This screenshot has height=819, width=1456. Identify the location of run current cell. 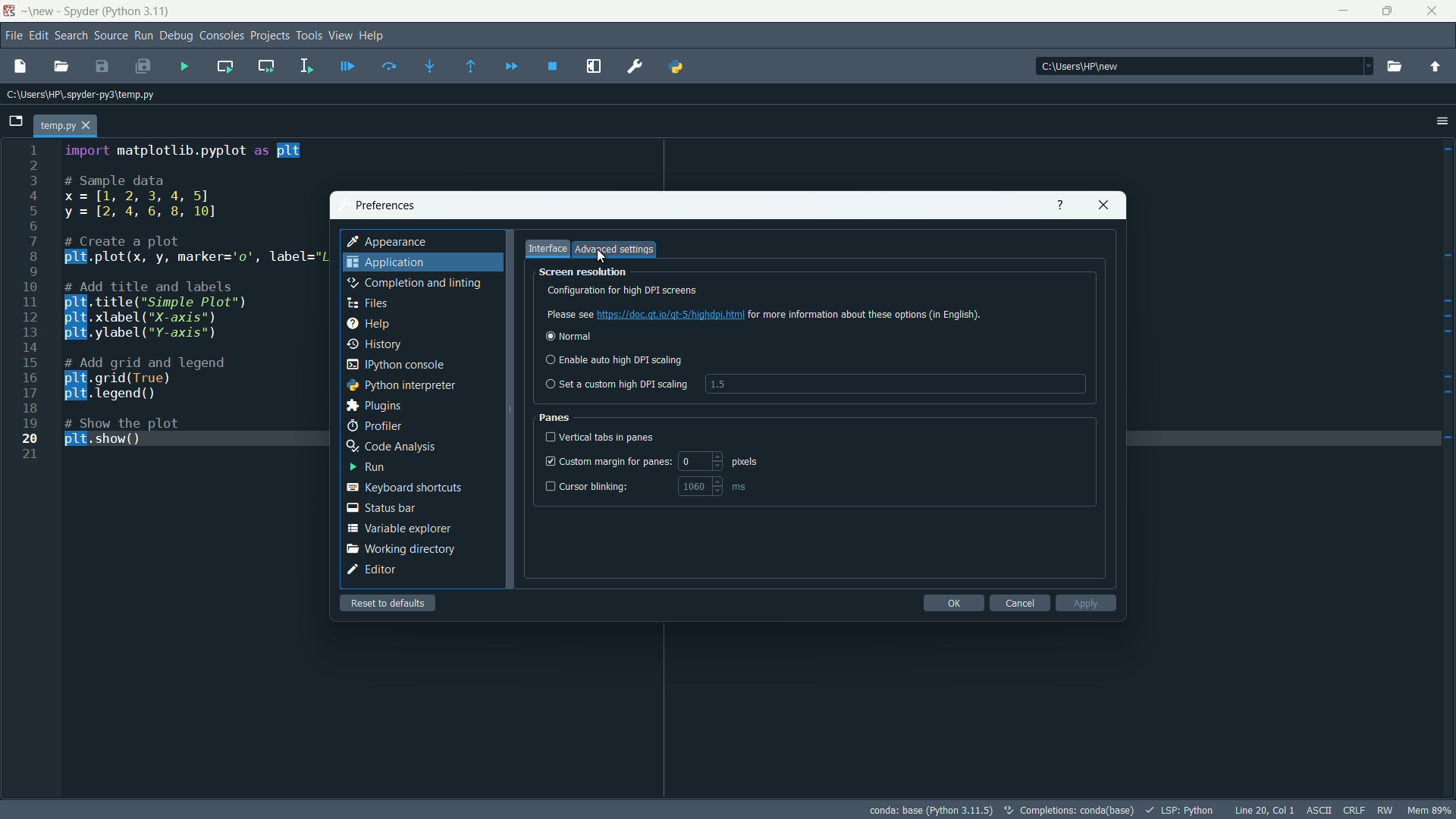
(225, 66).